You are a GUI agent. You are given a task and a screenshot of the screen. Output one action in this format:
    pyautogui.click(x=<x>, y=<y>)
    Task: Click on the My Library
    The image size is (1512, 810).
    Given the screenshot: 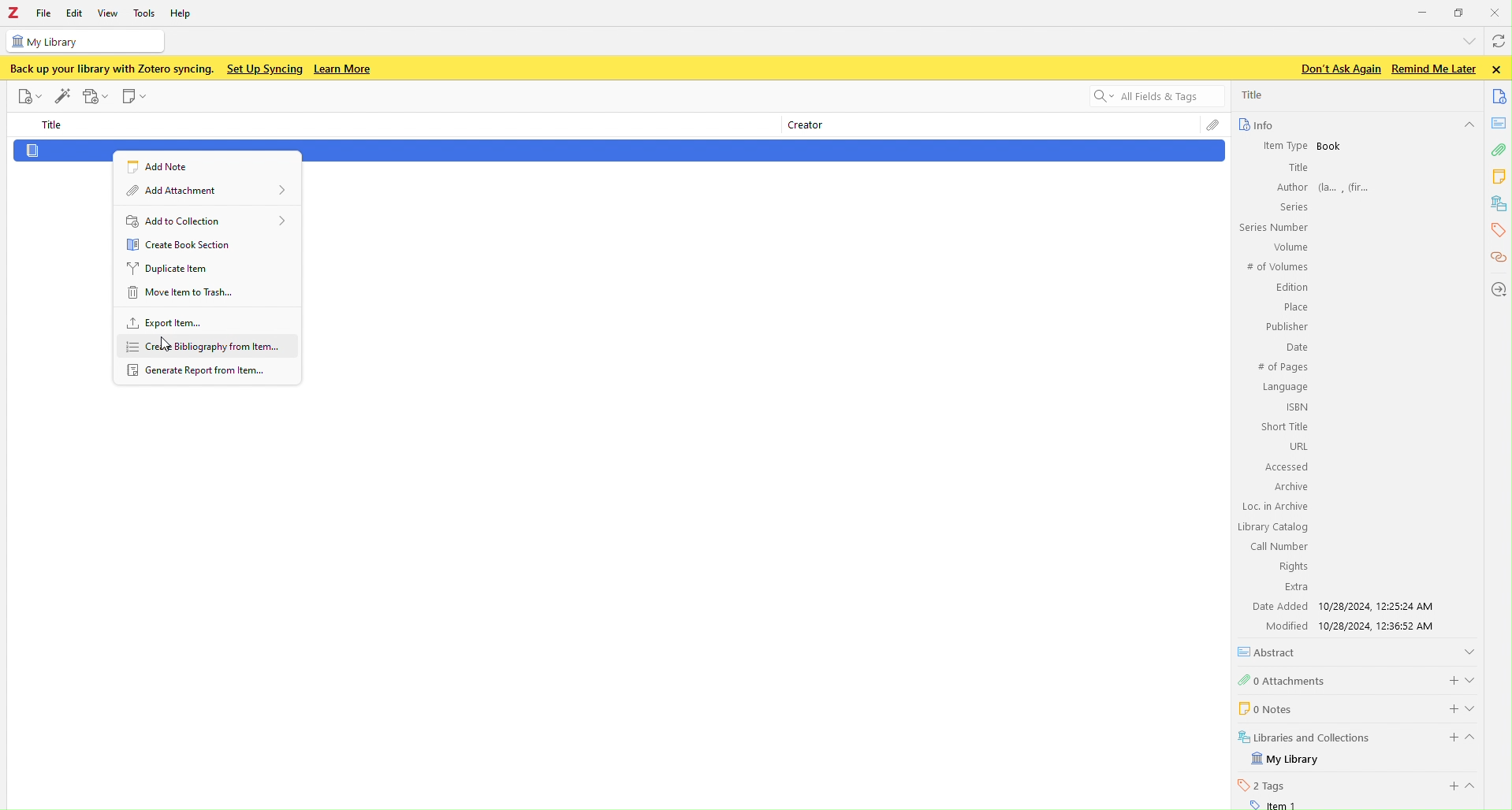 What is the action you would take?
    pyautogui.click(x=84, y=41)
    